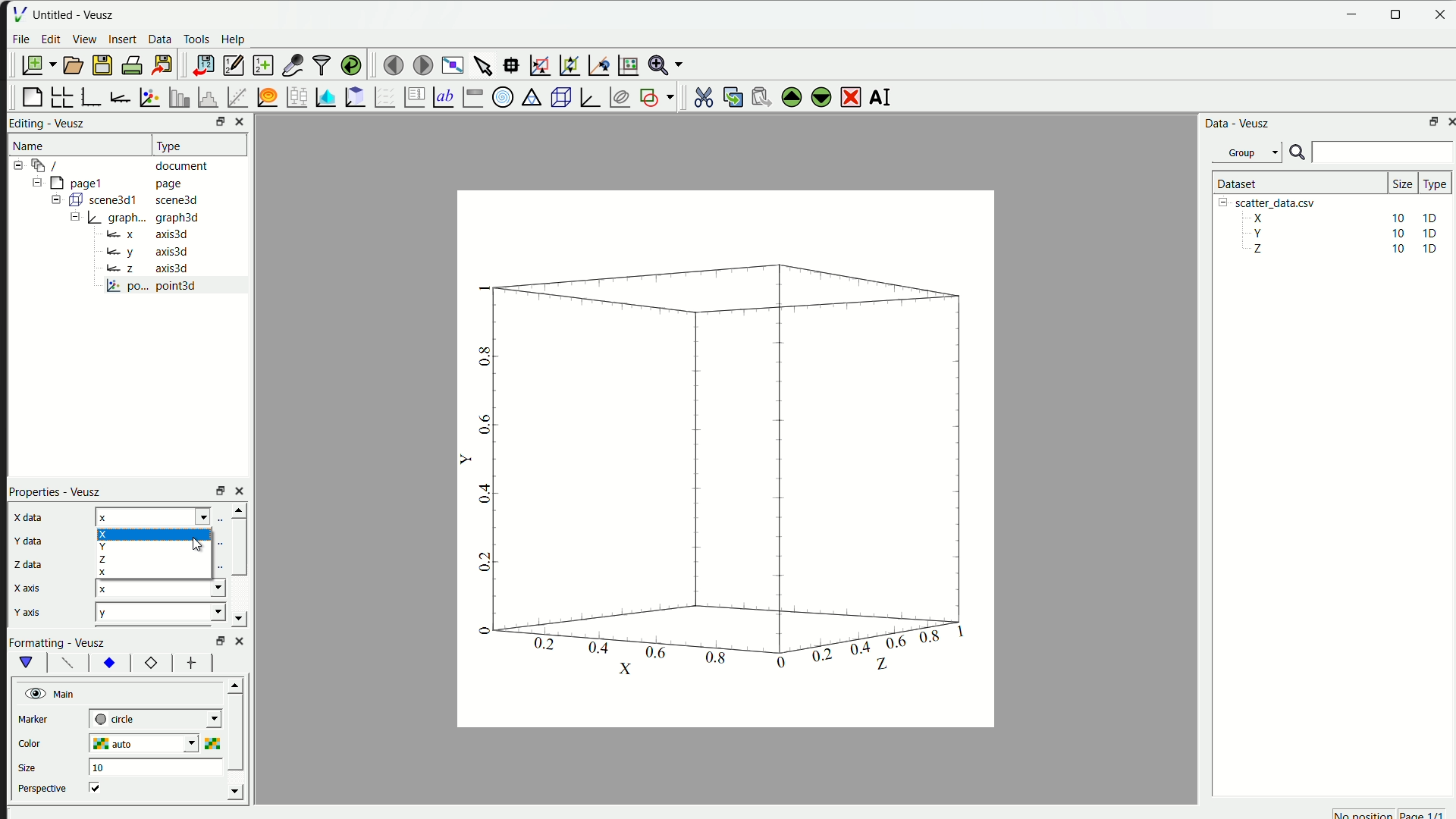 The height and width of the screenshot is (819, 1456). I want to click on move up the selected widget, so click(790, 96).